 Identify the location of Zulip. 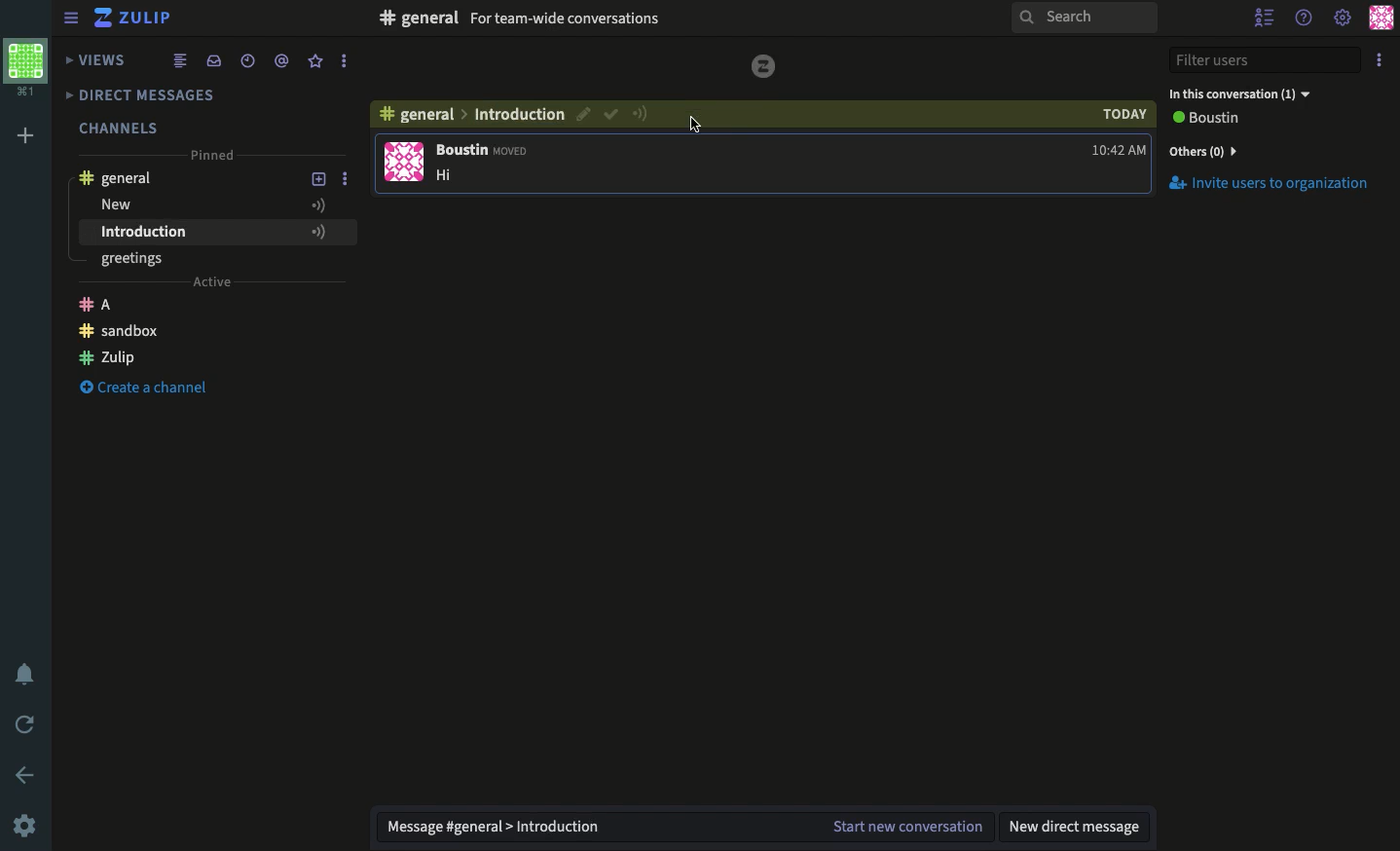
(137, 18).